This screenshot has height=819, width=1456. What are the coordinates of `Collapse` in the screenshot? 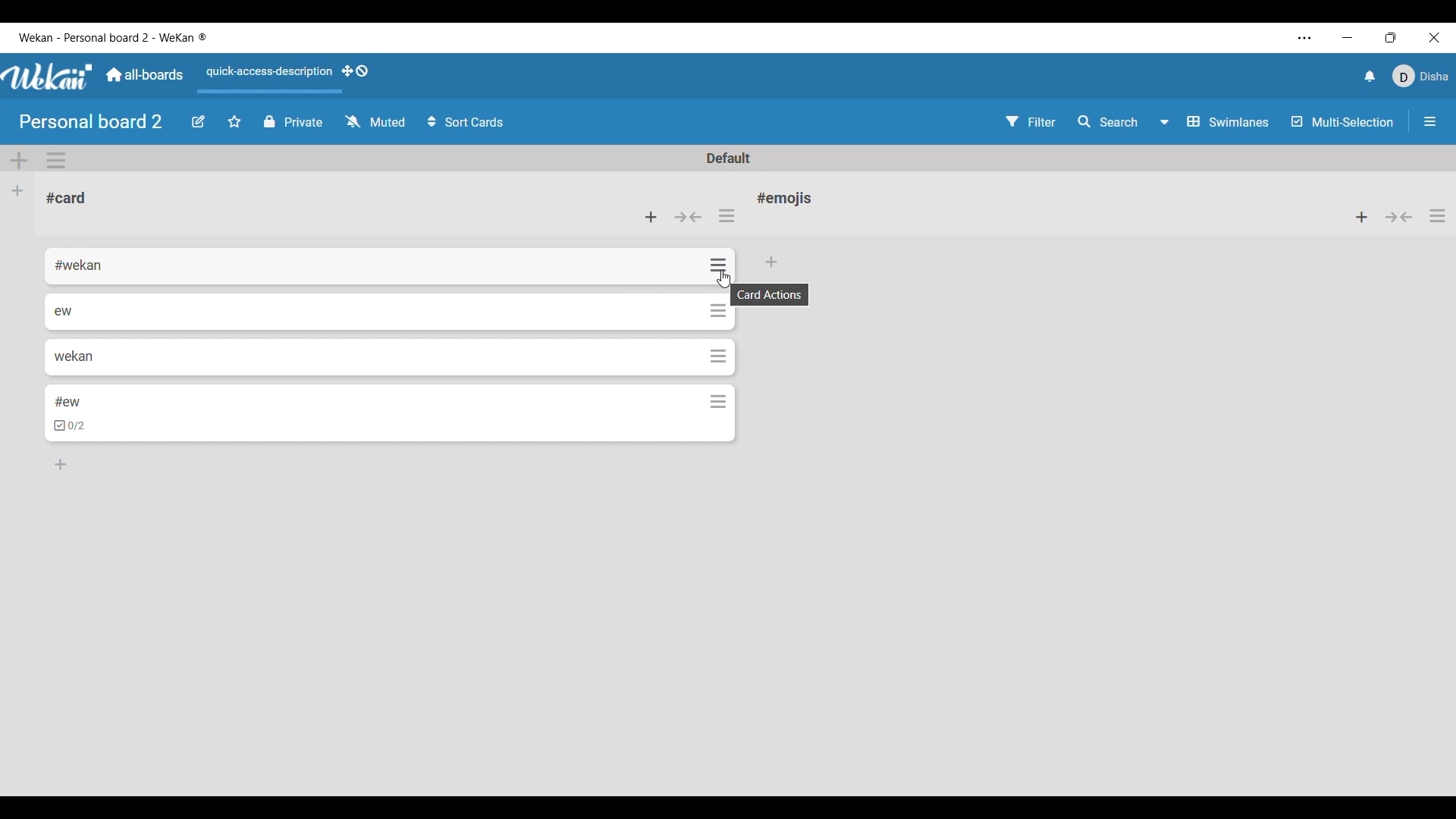 It's located at (689, 217).